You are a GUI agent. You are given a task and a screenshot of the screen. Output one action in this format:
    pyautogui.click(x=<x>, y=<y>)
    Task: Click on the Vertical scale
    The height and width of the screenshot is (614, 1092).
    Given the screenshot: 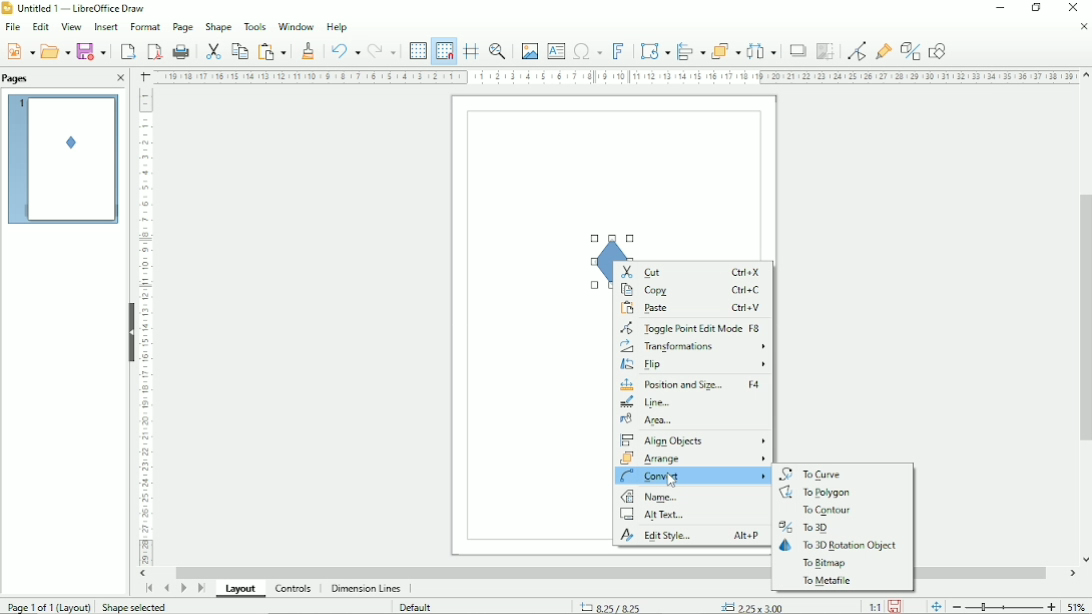 What is the action you would take?
    pyautogui.click(x=149, y=330)
    